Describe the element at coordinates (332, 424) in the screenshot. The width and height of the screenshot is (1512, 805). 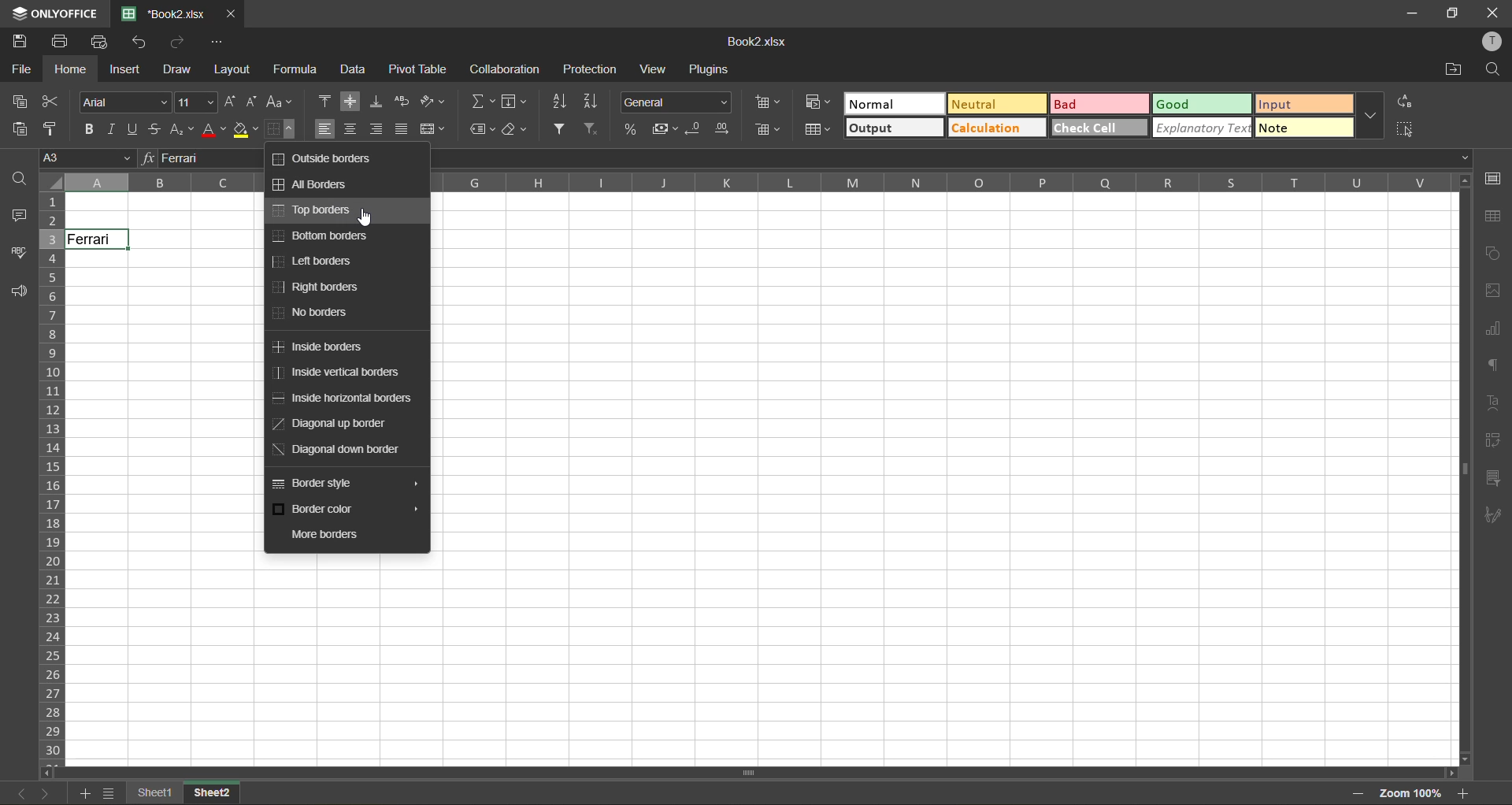
I see `diagonal up border` at that location.